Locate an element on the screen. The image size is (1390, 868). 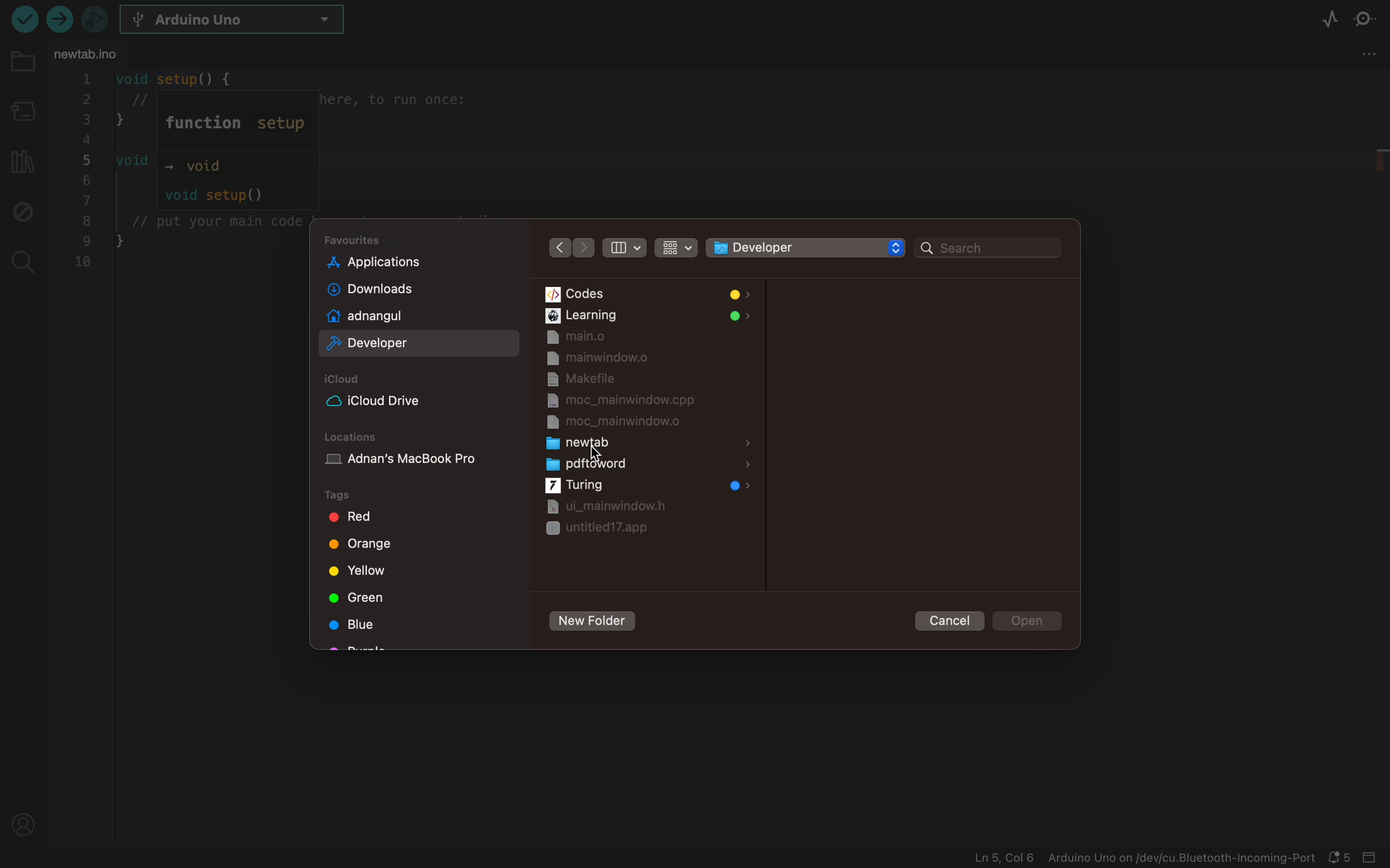
make file is located at coordinates (615, 379).